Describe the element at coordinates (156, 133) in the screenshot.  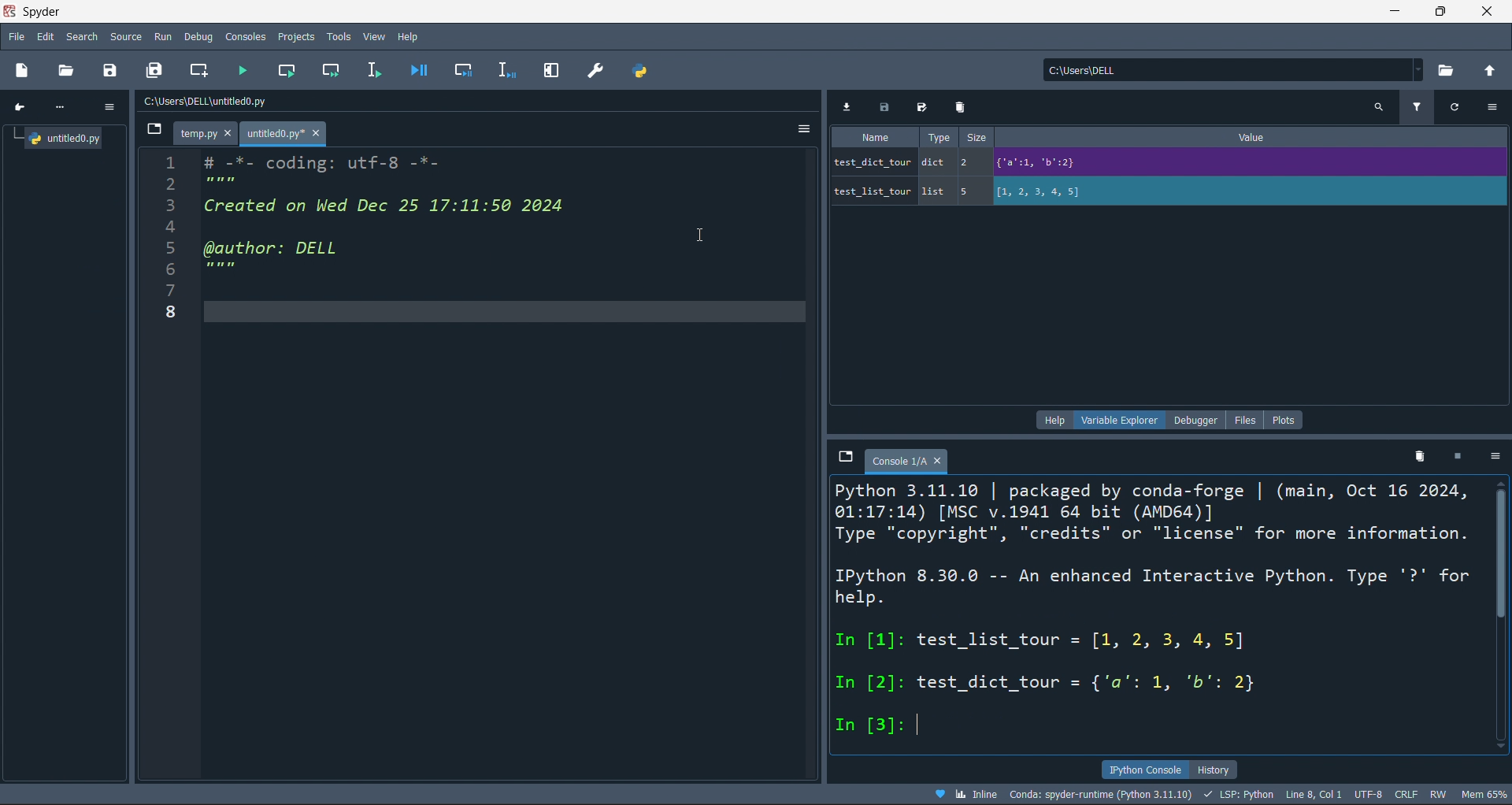
I see `button` at that location.